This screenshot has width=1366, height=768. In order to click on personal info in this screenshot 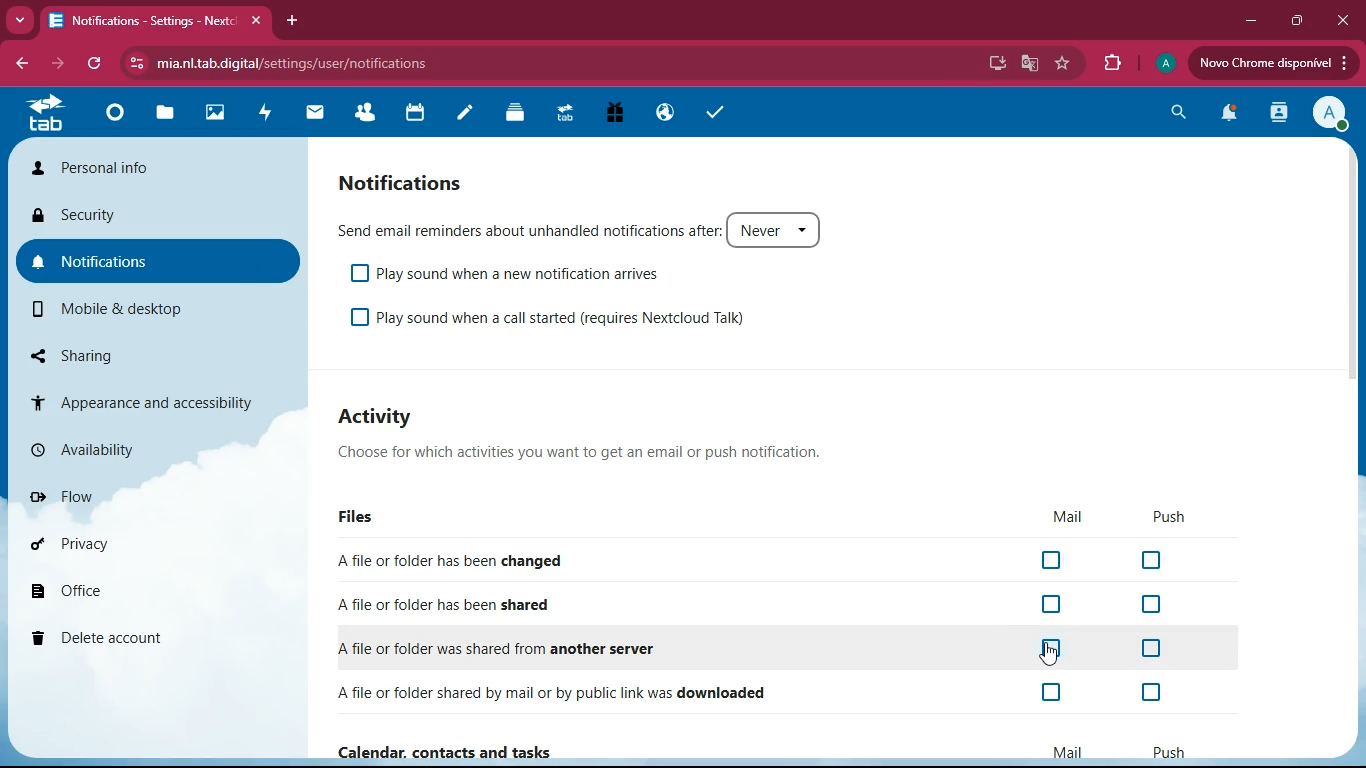, I will do `click(159, 167)`.